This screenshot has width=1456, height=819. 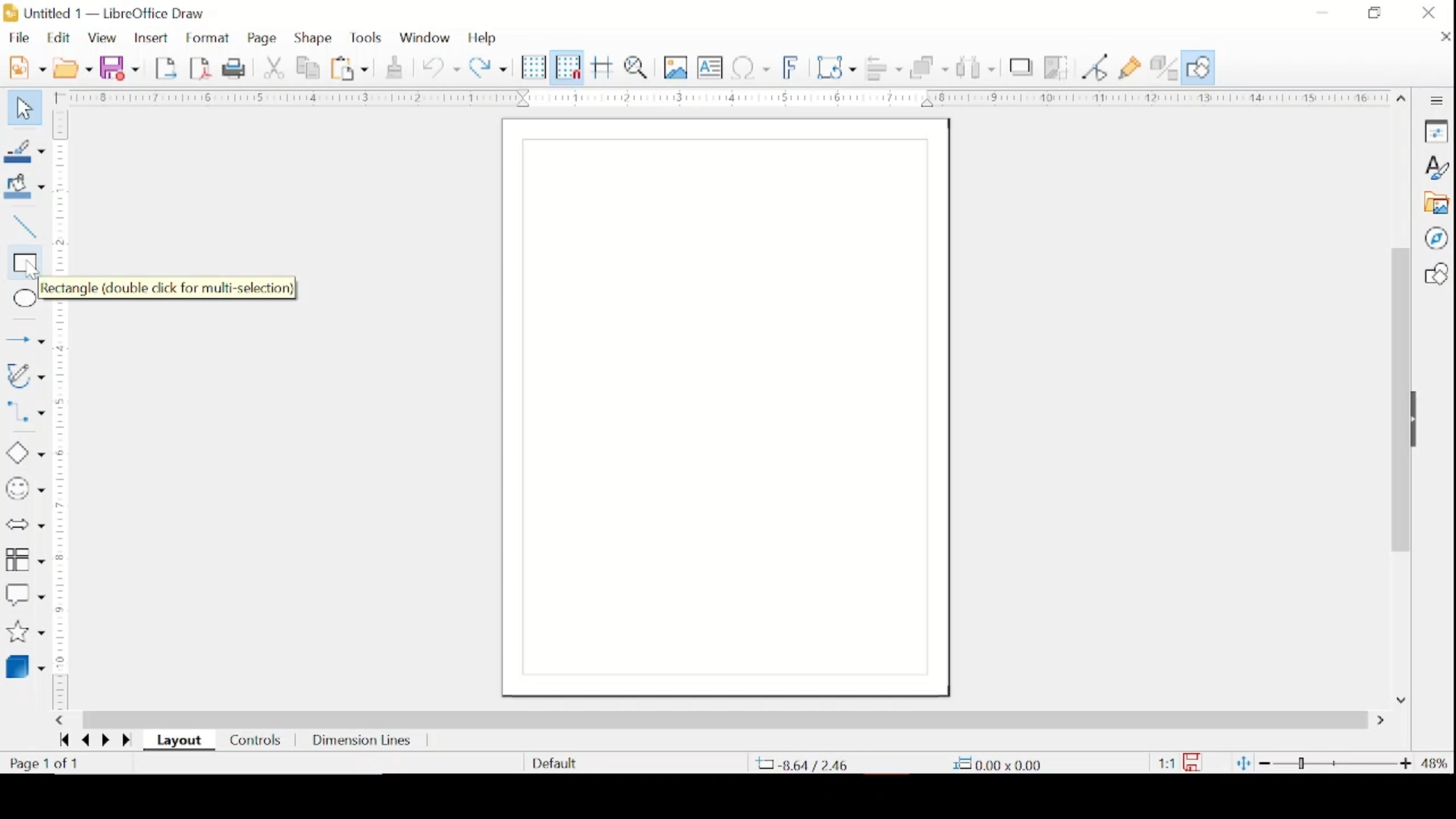 What do you see at coordinates (396, 65) in the screenshot?
I see `clone formatting` at bounding box center [396, 65].